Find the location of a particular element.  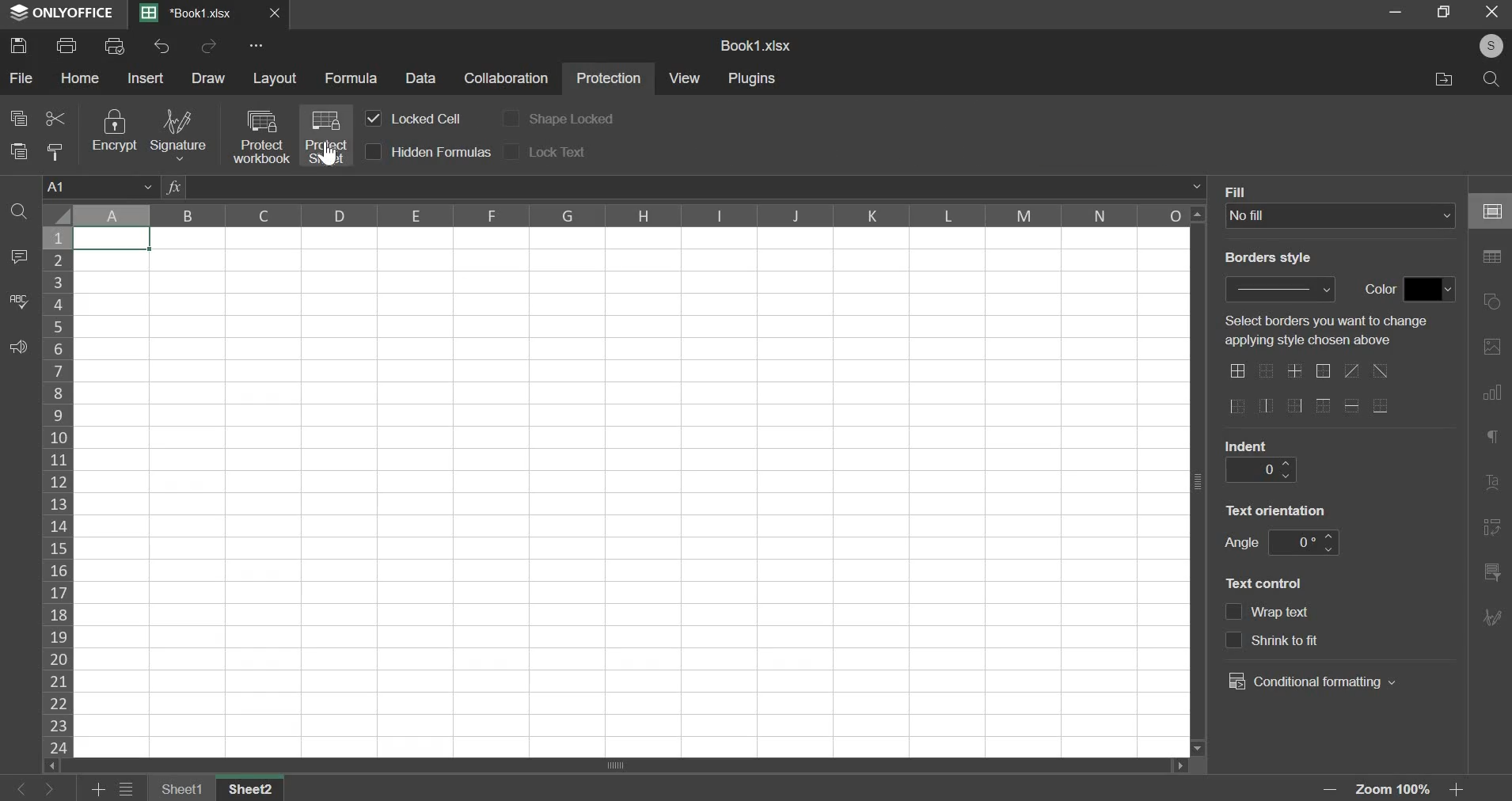

text control is located at coordinates (1311, 640).